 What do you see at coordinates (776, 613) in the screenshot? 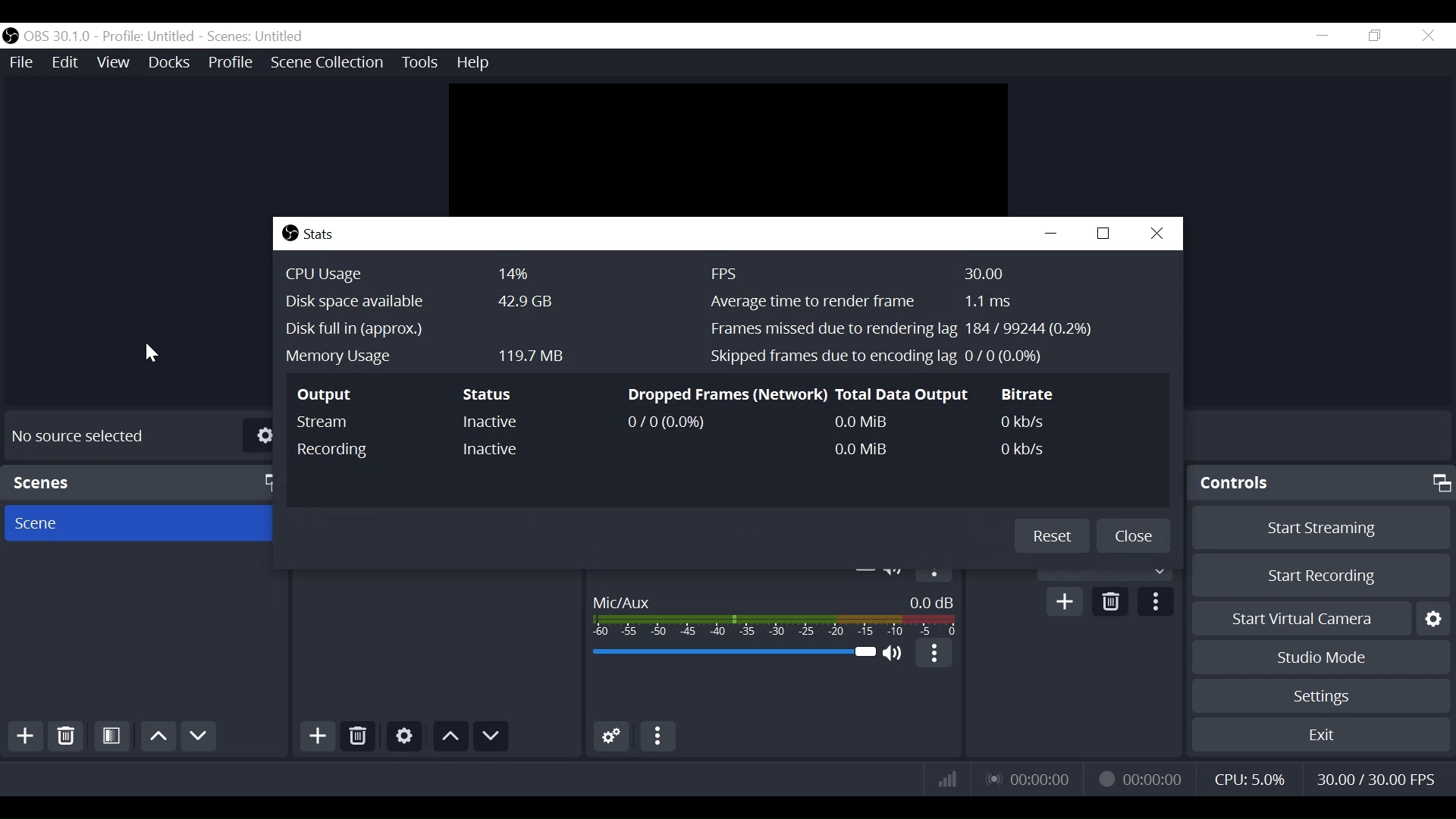
I see `Mic/Aux` at bounding box center [776, 613].